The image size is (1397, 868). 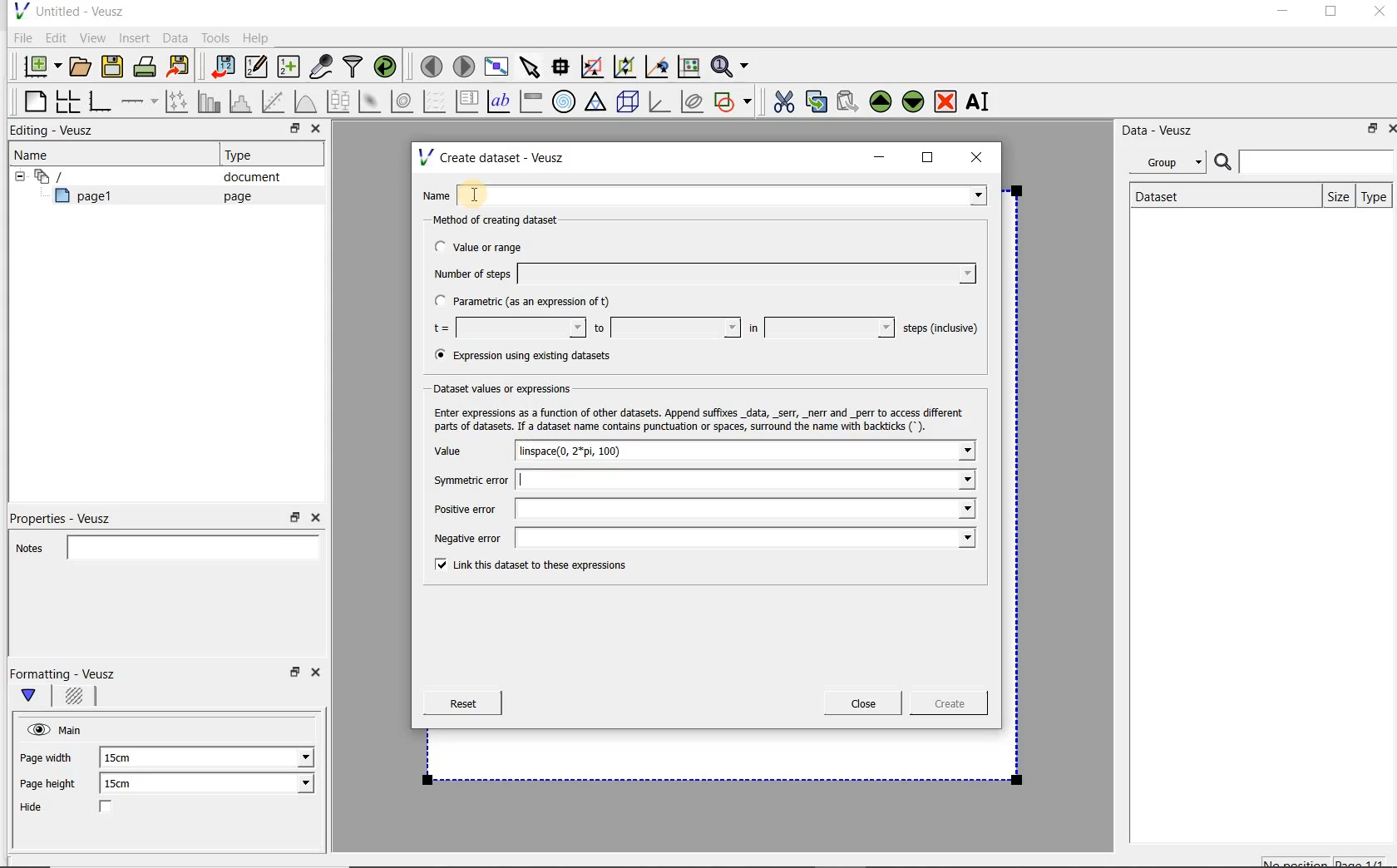 I want to click on Cursor, so click(x=495, y=191).